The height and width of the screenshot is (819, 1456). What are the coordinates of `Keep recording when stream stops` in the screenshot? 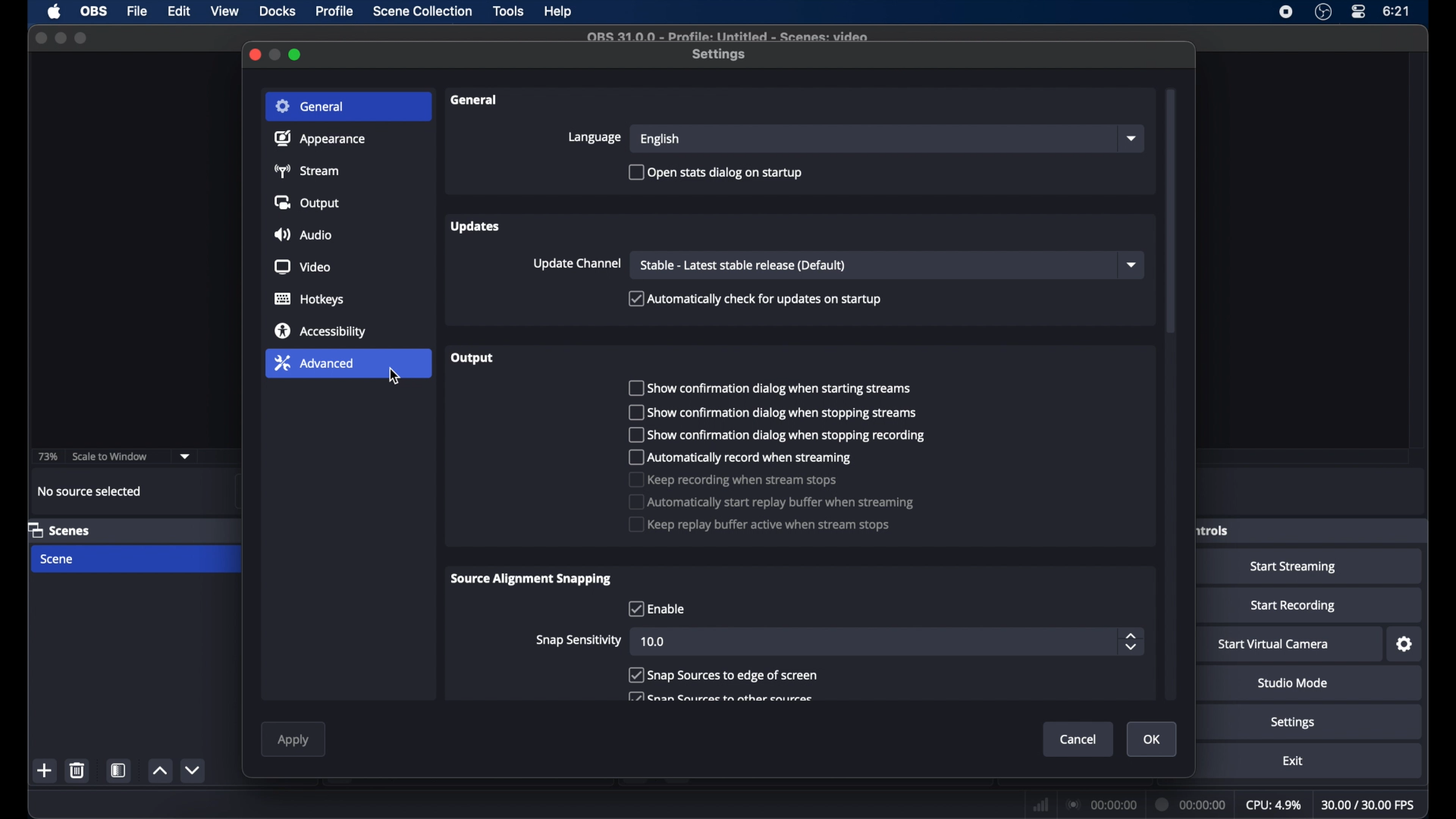 It's located at (749, 482).